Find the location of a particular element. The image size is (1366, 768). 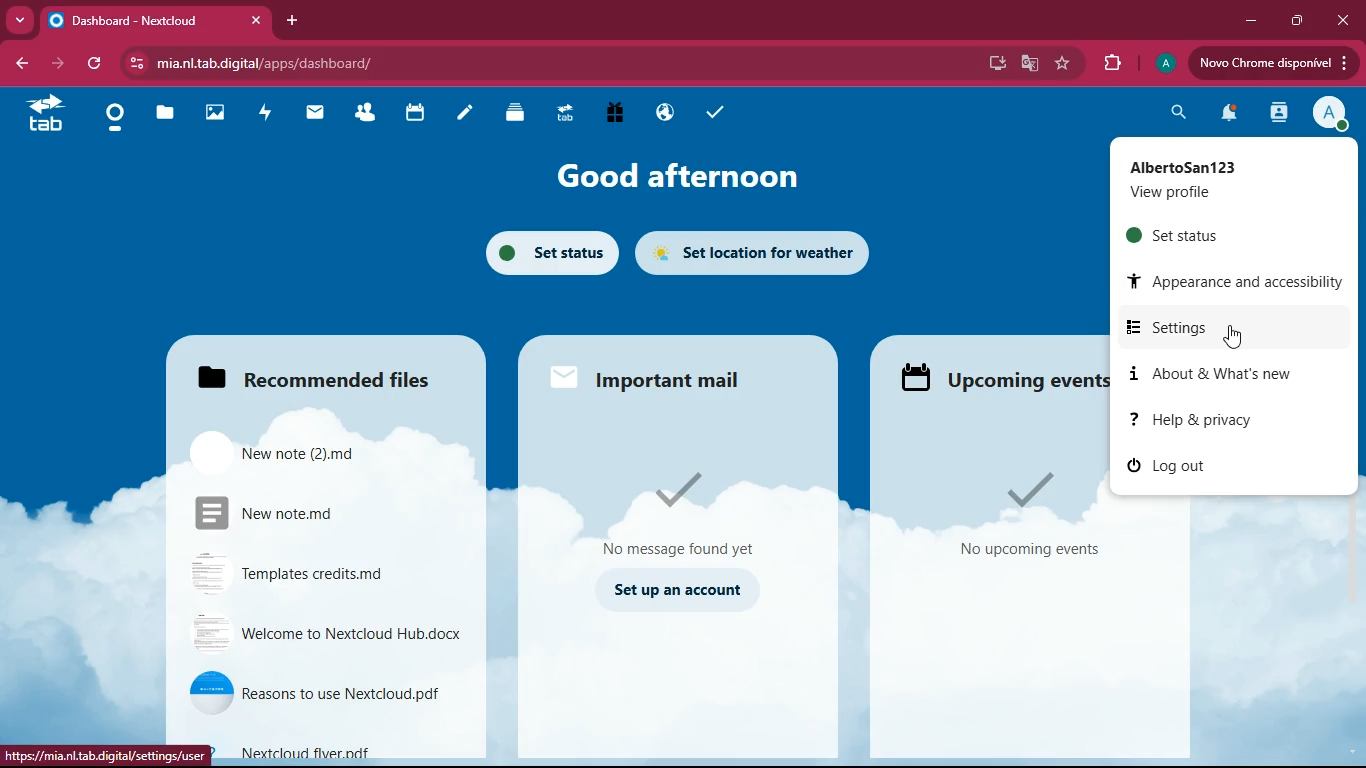

notes is located at coordinates (465, 113).